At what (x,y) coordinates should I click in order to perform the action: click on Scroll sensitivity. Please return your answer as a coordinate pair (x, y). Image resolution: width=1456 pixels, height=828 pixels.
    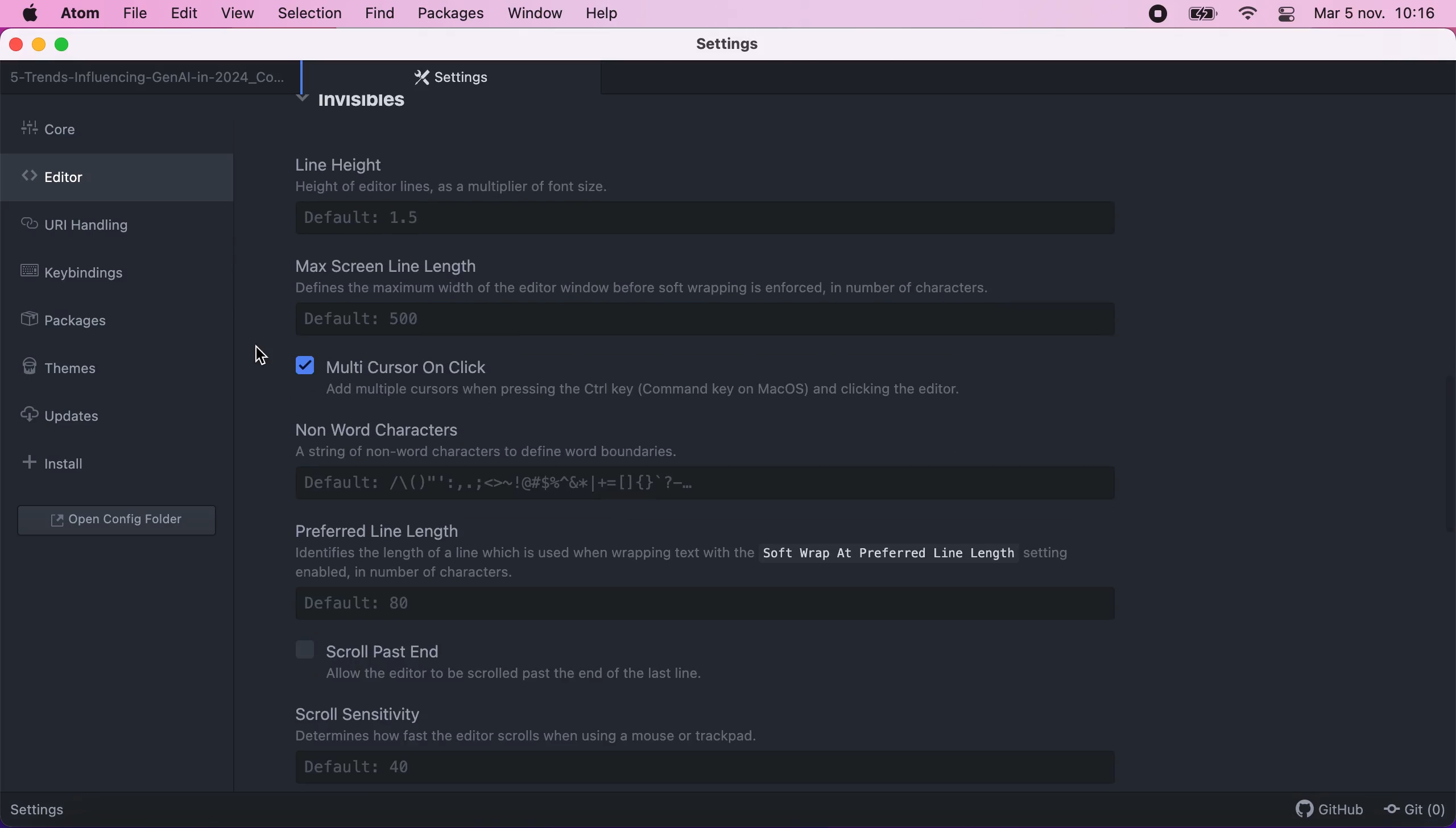
    Looking at the image, I should click on (535, 723).